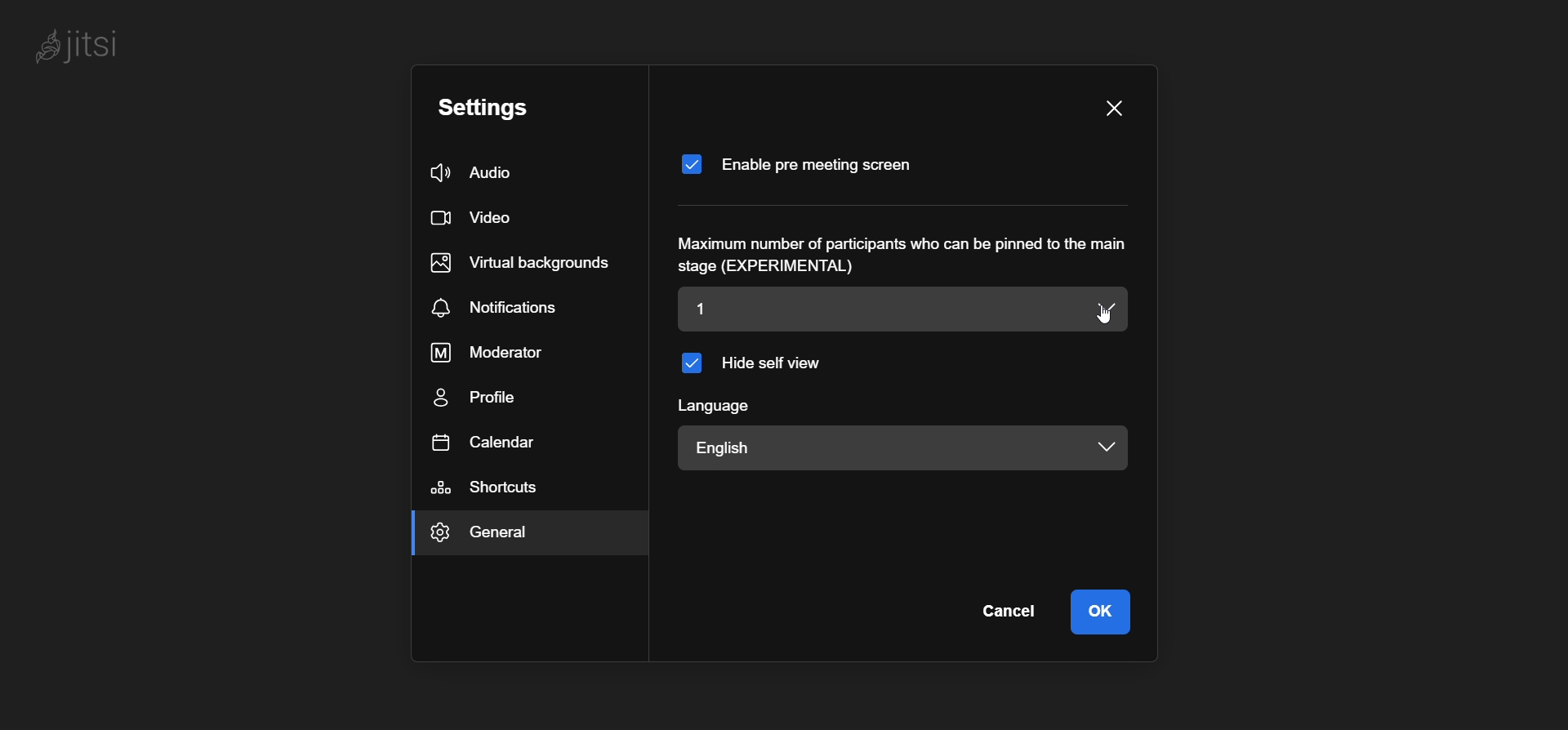 The height and width of the screenshot is (730, 1568). Describe the element at coordinates (484, 441) in the screenshot. I see `calendar` at that location.